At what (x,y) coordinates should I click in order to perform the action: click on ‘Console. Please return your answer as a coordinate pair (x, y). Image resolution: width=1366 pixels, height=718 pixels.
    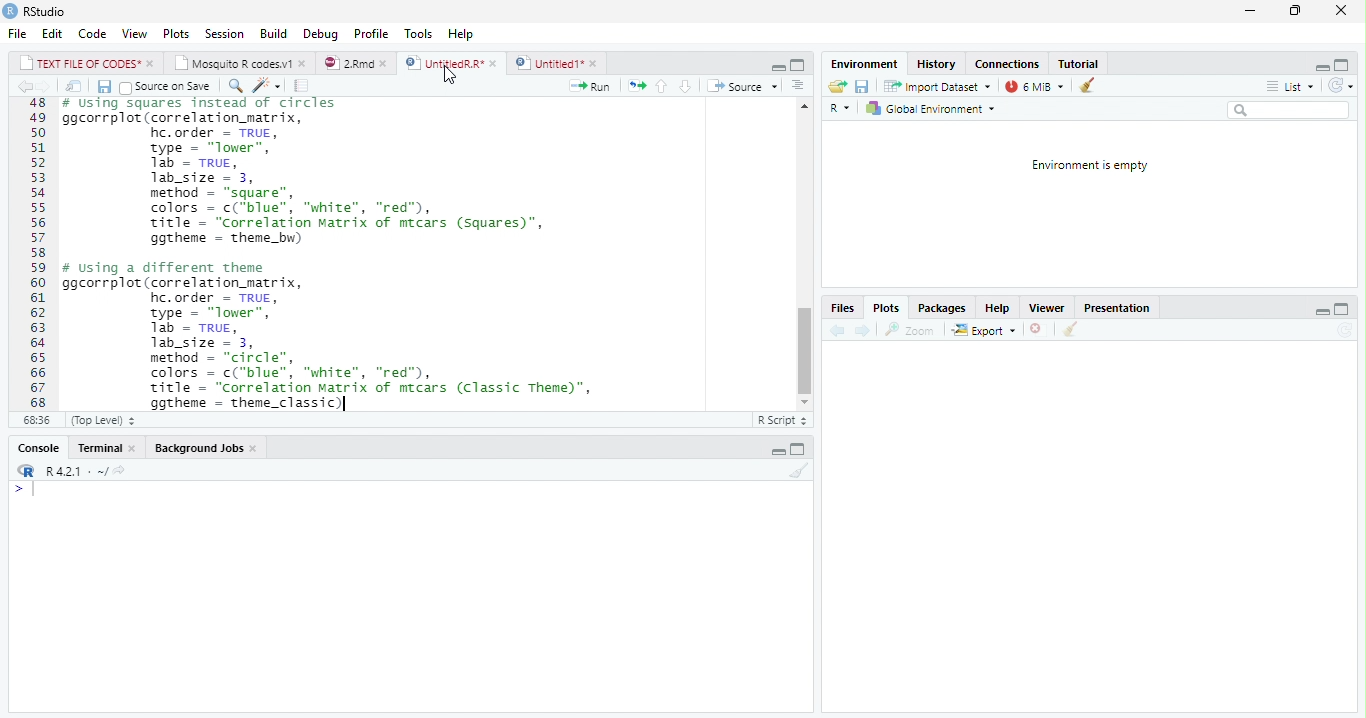
    Looking at the image, I should click on (33, 450).